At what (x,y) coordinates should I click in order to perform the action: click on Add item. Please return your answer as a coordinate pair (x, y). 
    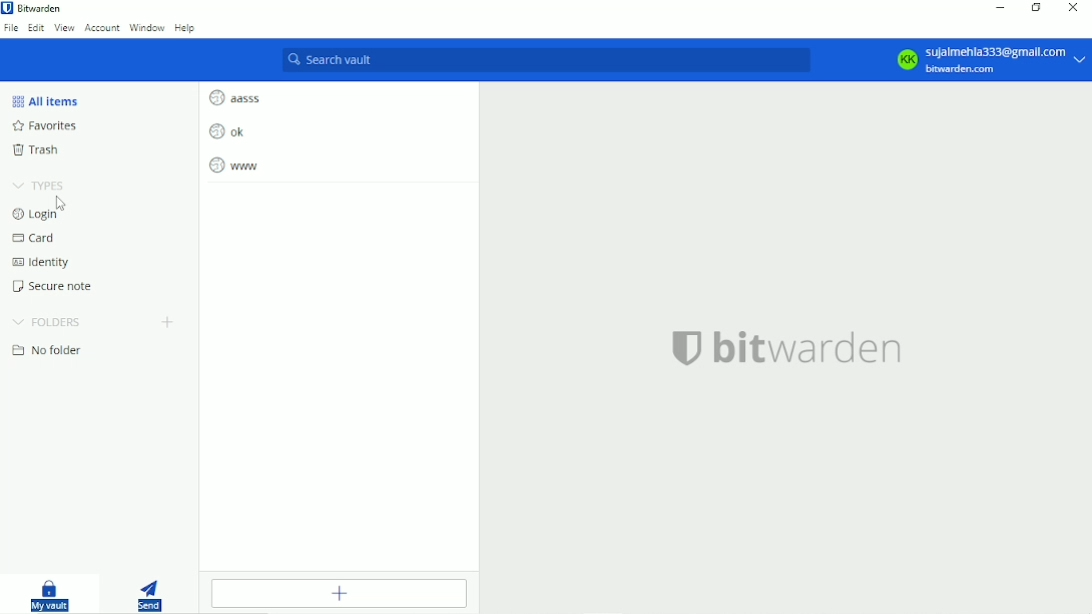
    Looking at the image, I should click on (337, 593).